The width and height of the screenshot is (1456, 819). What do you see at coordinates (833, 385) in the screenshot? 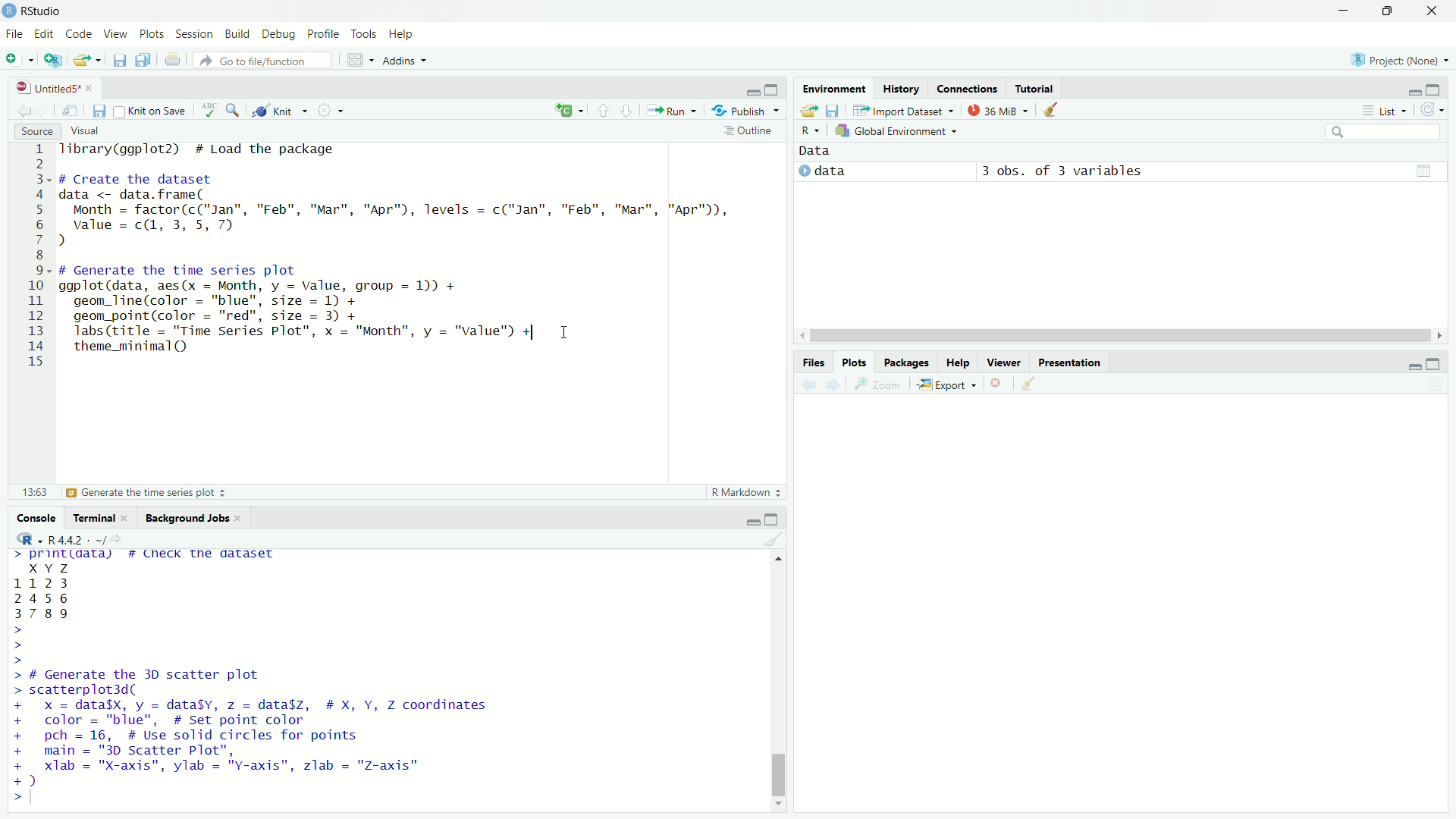
I see `next plot` at bounding box center [833, 385].